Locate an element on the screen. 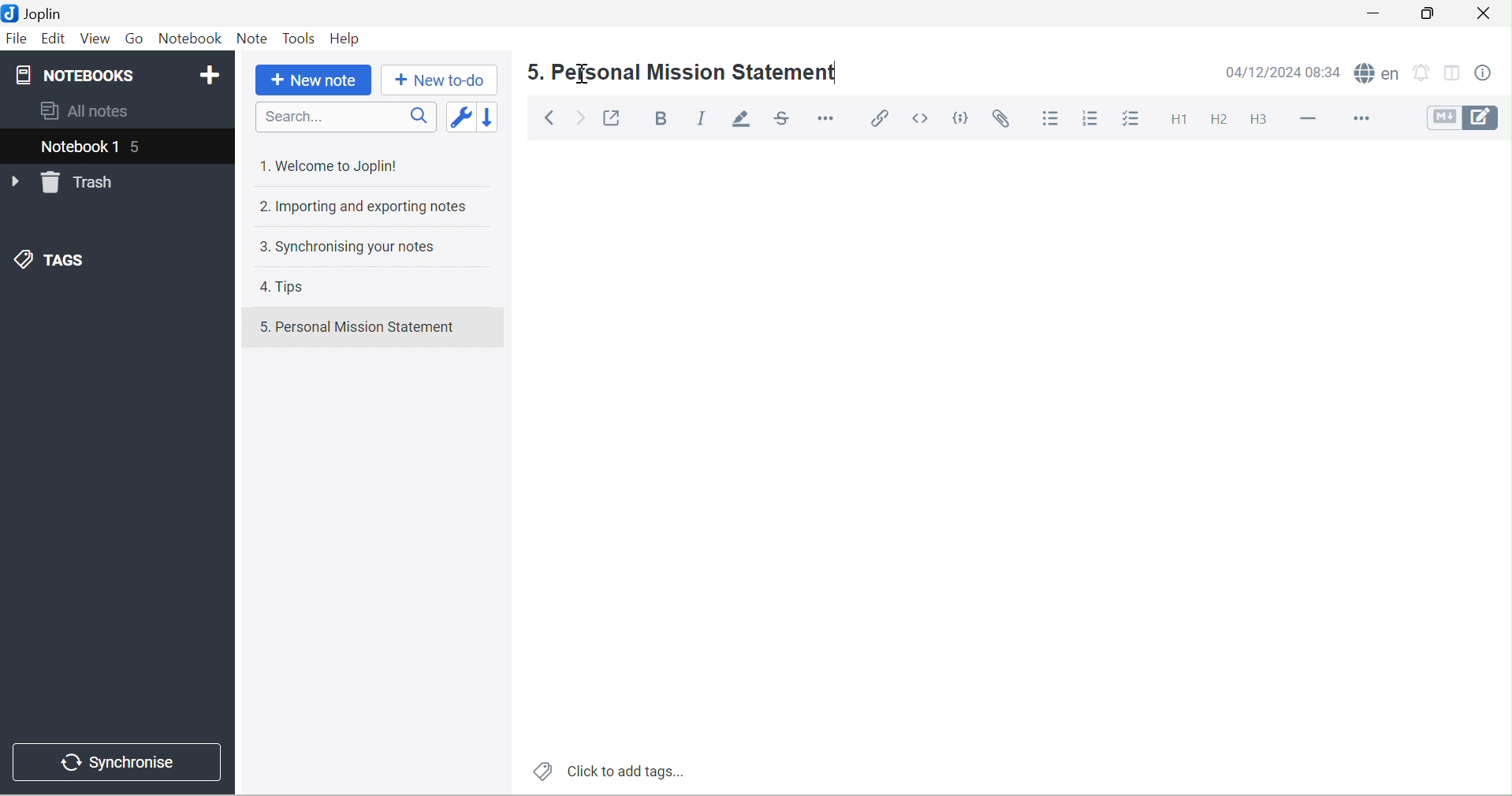 This screenshot has height=796, width=1512. Note is located at coordinates (253, 38).